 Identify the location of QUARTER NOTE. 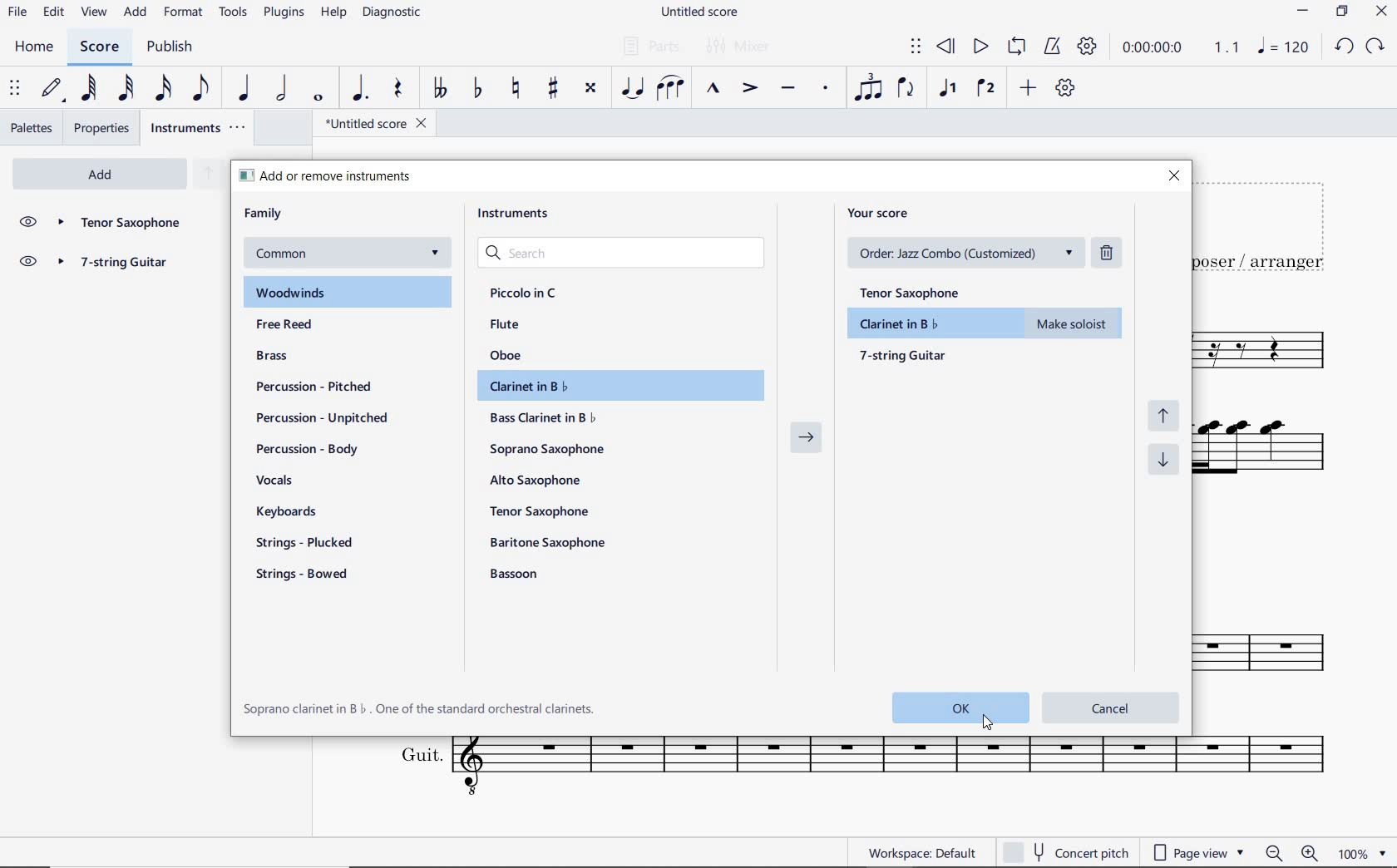
(245, 88).